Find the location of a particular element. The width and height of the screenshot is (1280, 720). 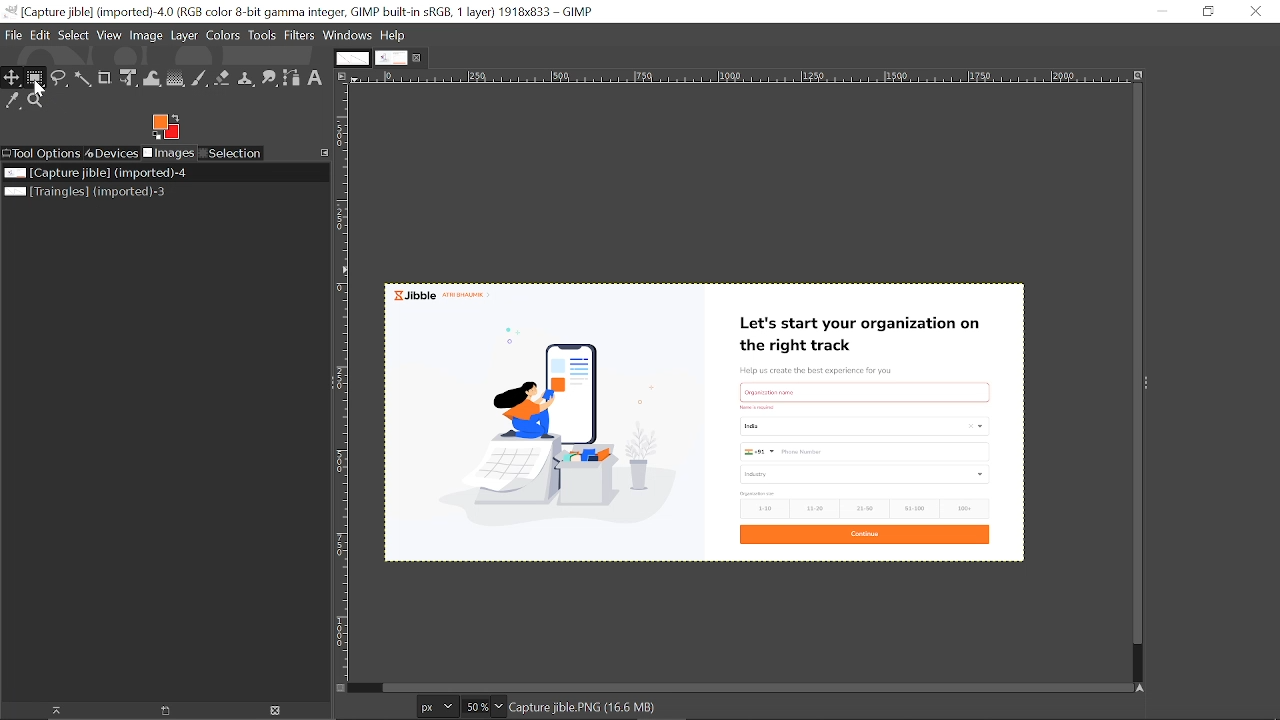

Zoom image when window size changes is located at coordinates (1136, 75).